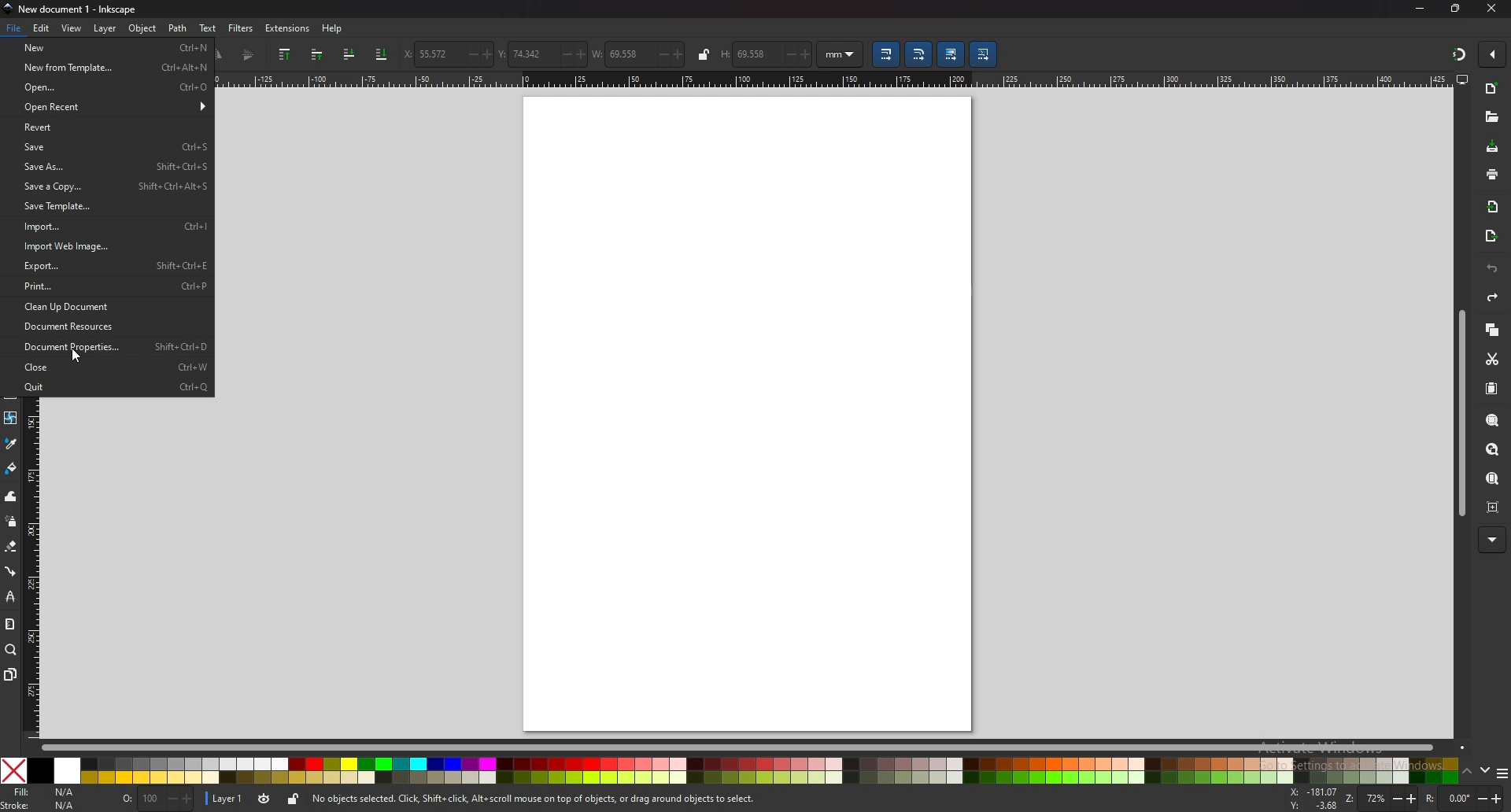 The image size is (1511, 812). What do you see at coordinates (107, 346) in the screenshot?
I see `document properties` at bounding box center [107, 346].